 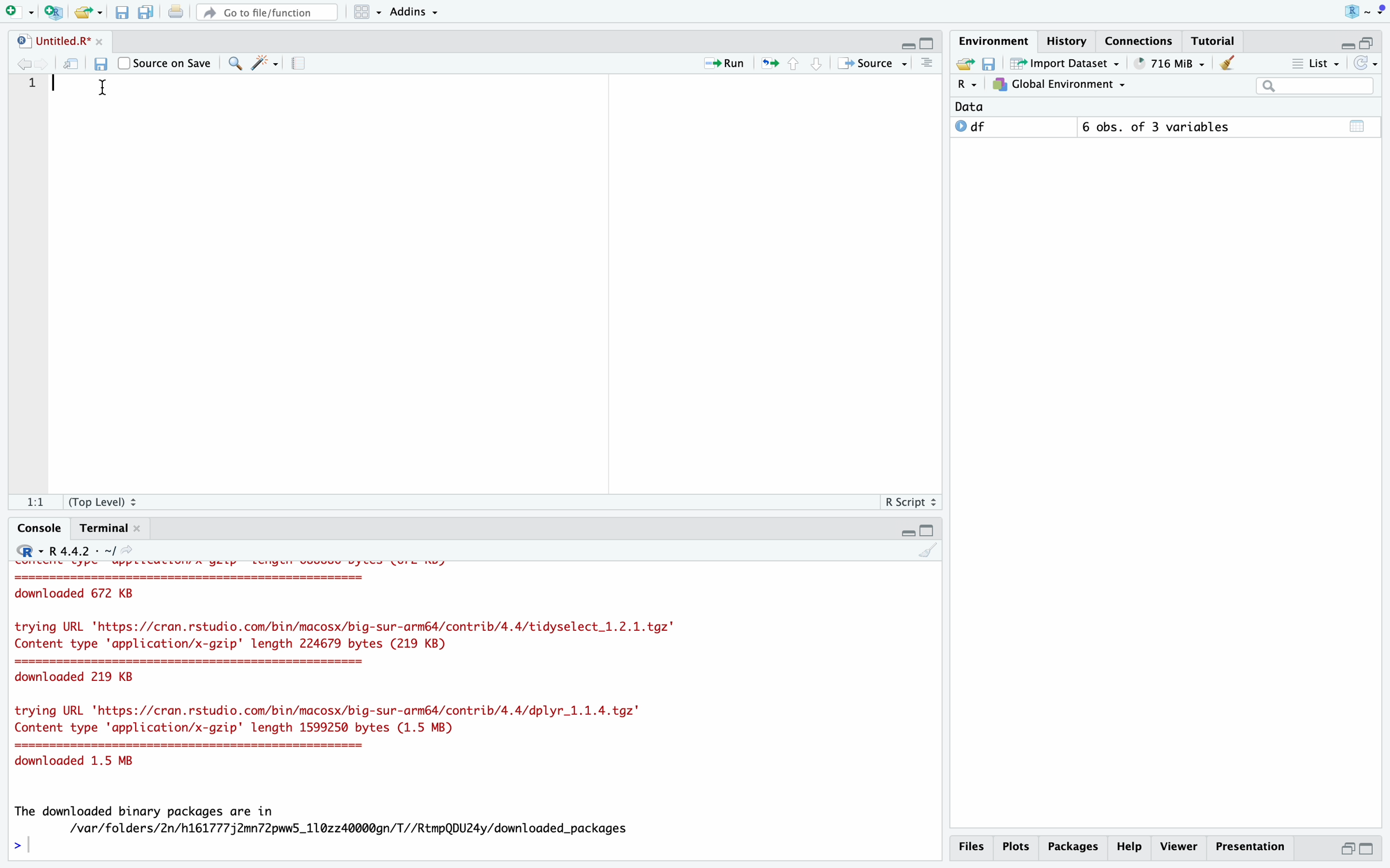 What do you see at coordinates (1018, 847) in the screenshot?
I see `Plots` at bounding box center [1018, 847].